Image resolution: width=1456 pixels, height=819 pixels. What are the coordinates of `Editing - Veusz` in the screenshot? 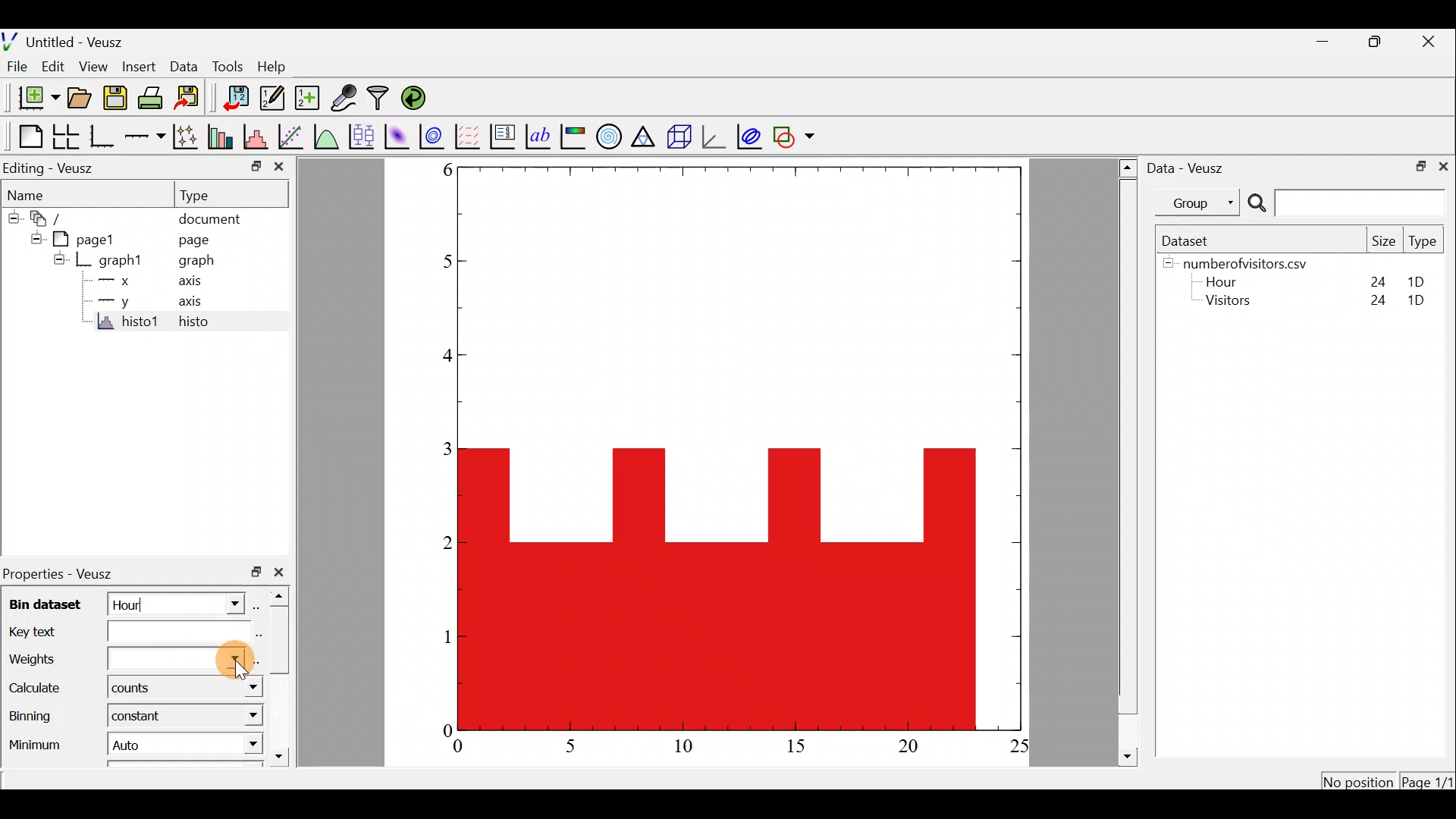 It's located at (52, 168).